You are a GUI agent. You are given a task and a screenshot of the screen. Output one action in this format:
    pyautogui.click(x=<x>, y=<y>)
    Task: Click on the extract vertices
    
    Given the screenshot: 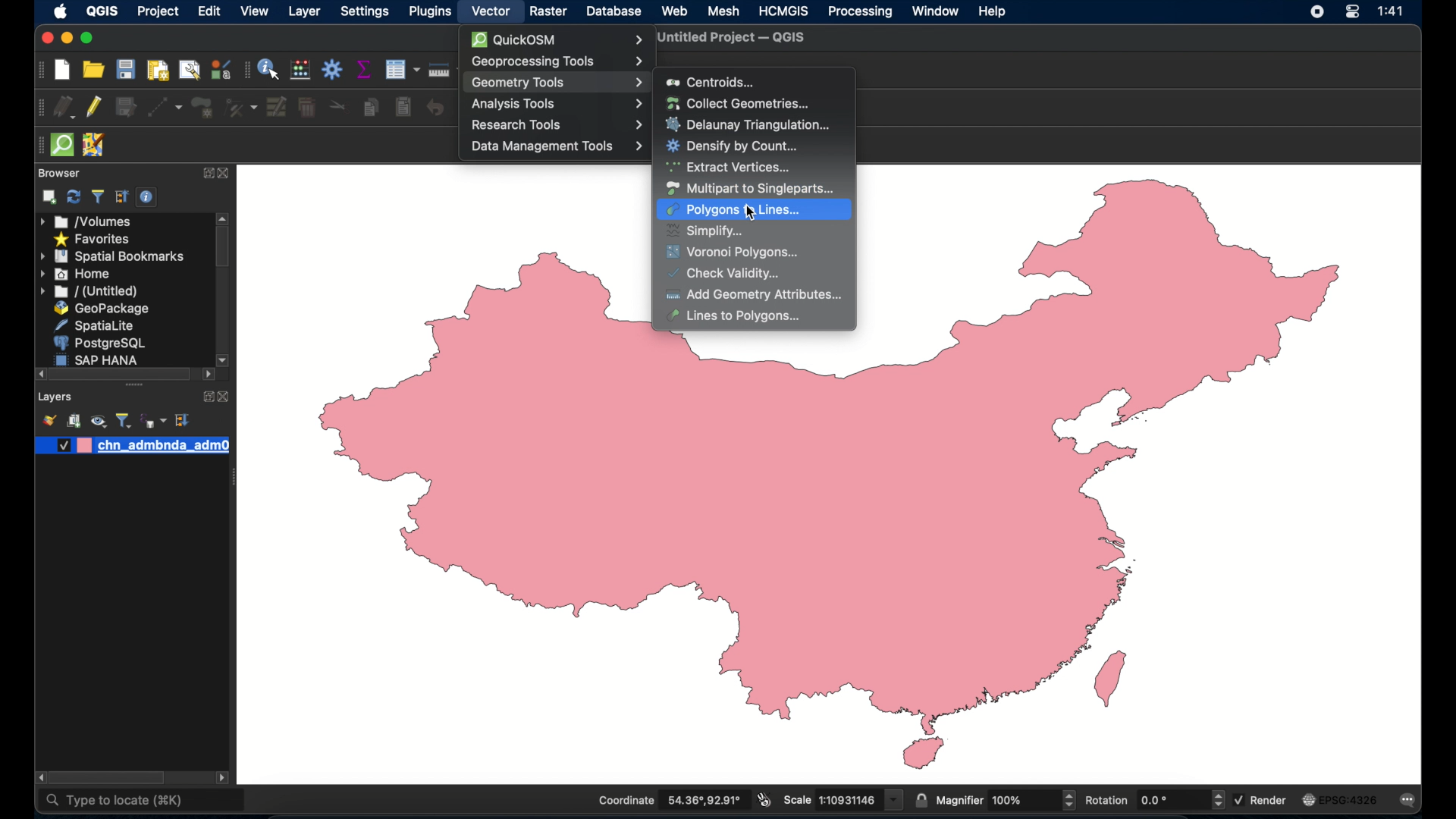 What is the action you would take?
    pyautogui.click(x=730, y=168)
    